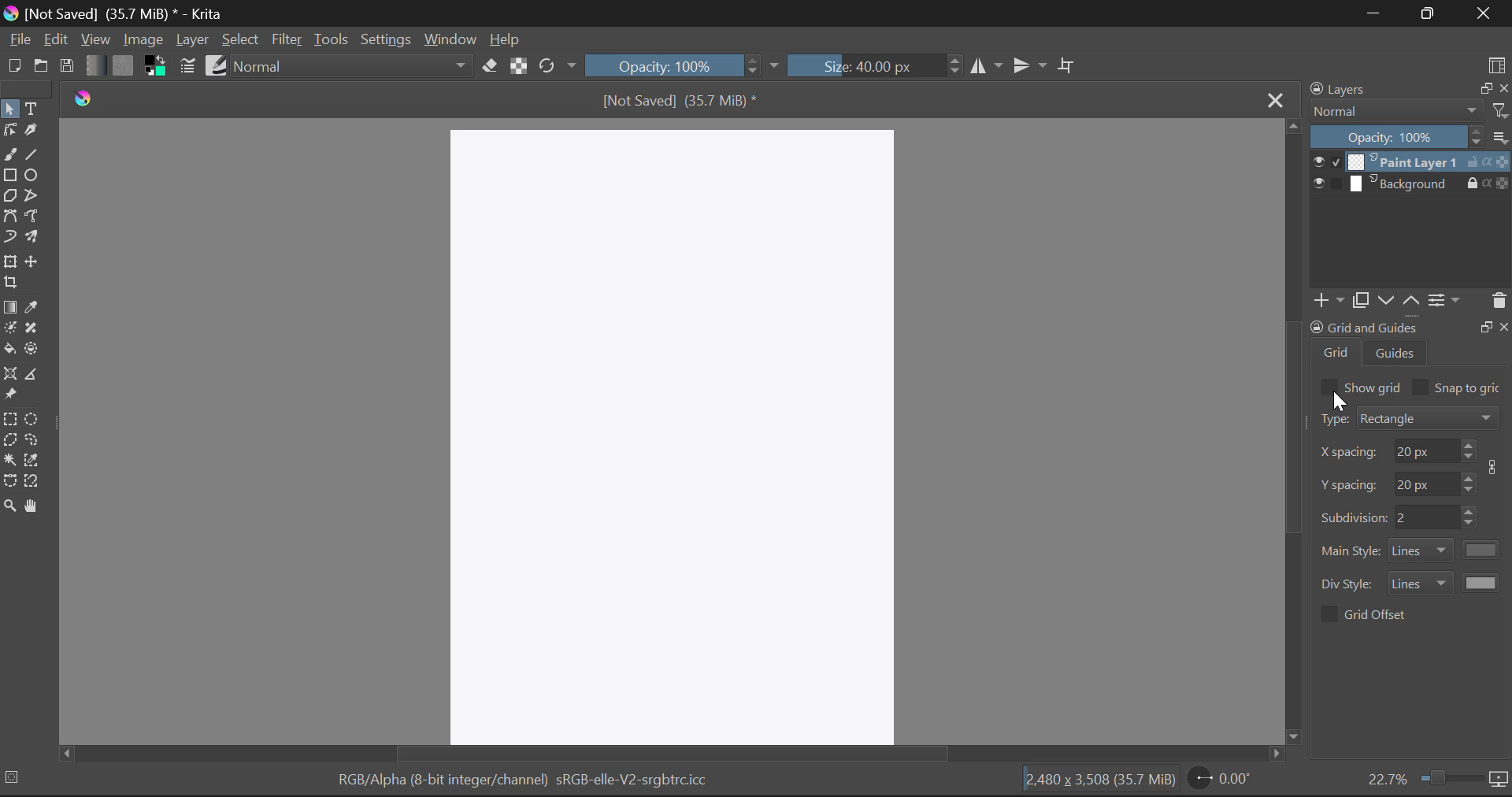  I want to click on Help, so click(506, 39).